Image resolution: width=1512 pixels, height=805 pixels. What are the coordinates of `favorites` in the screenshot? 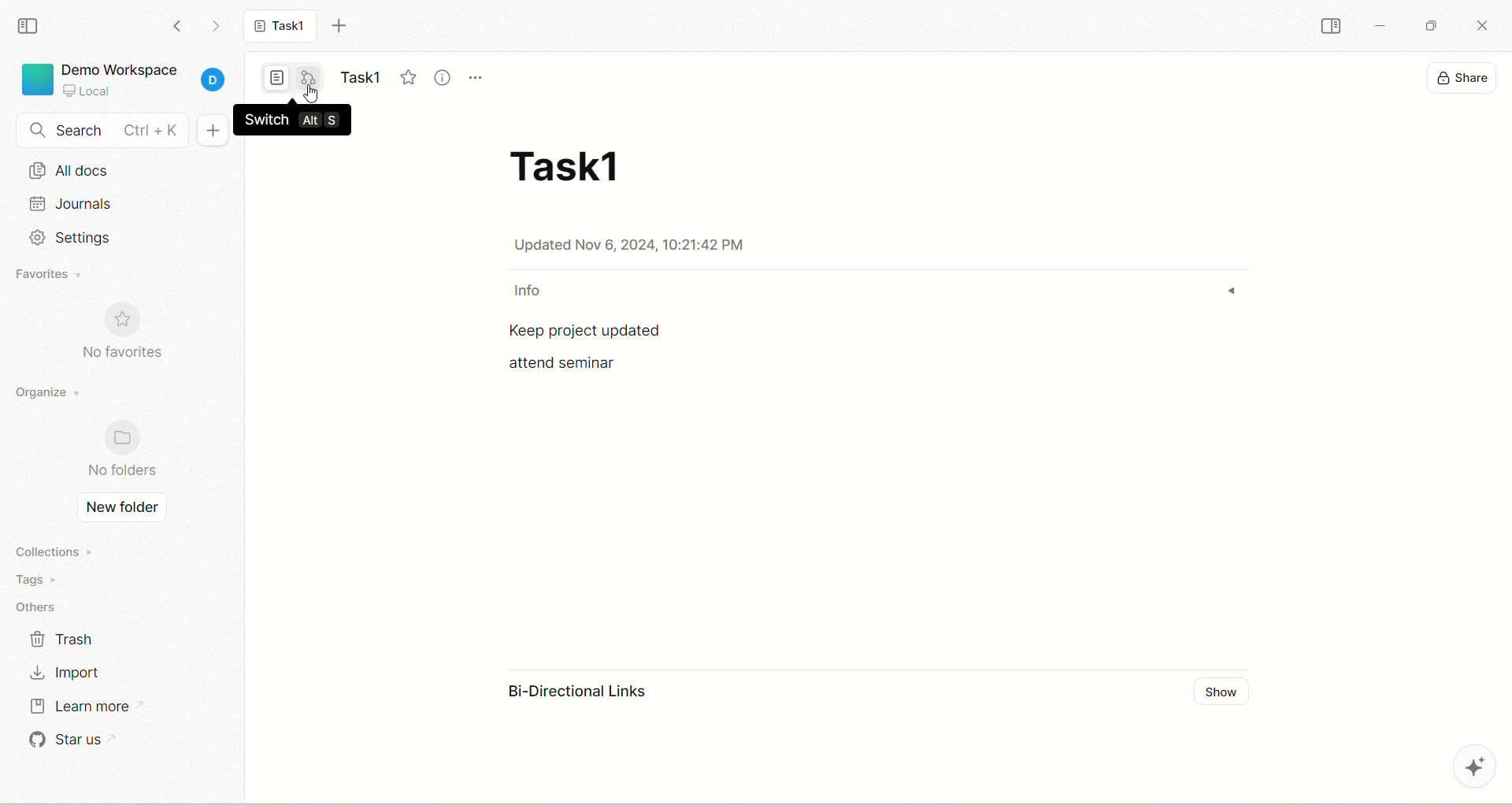 It's located at (62, 276).